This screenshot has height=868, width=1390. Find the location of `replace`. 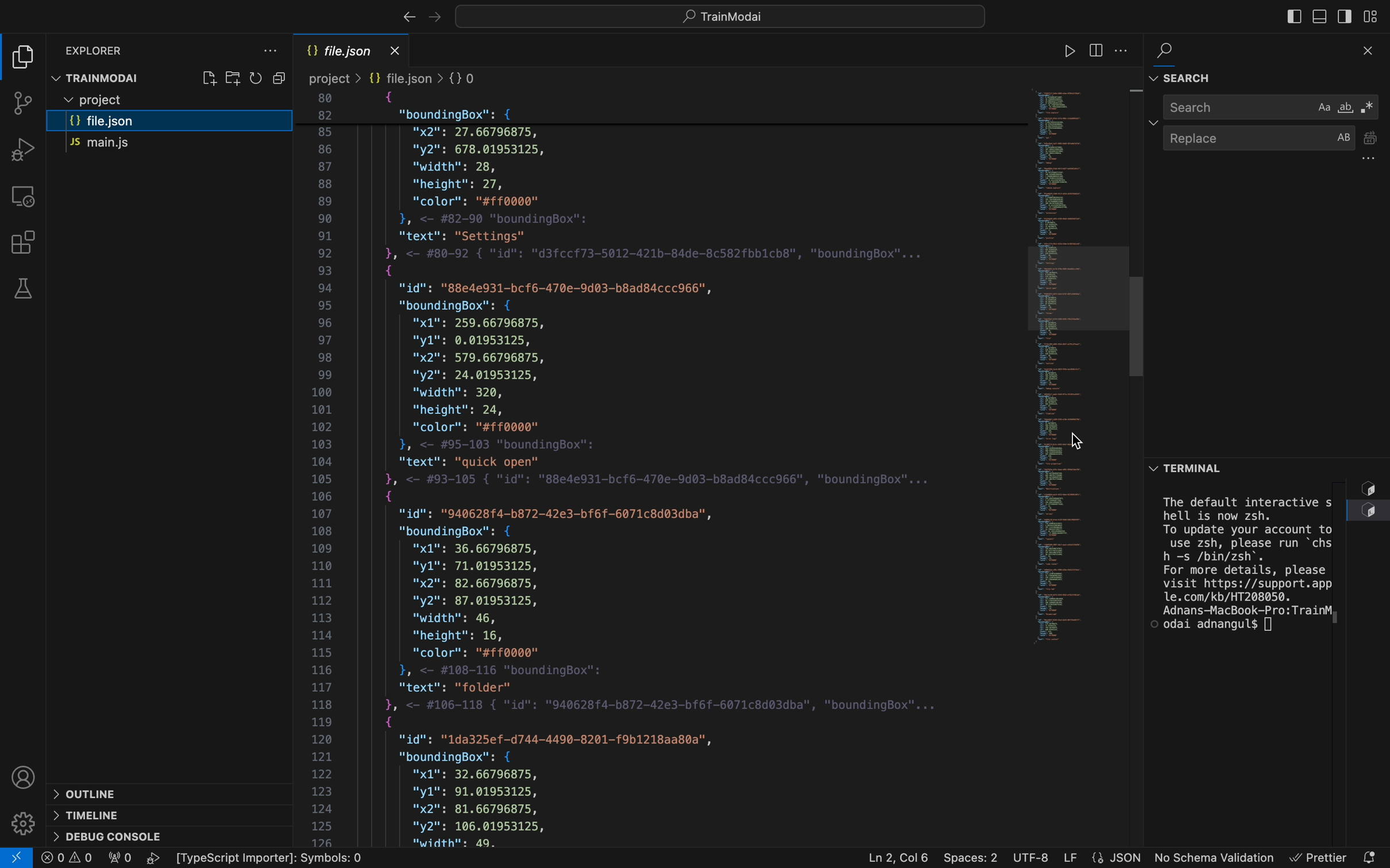

replace is located at coordinates (1275, 146).